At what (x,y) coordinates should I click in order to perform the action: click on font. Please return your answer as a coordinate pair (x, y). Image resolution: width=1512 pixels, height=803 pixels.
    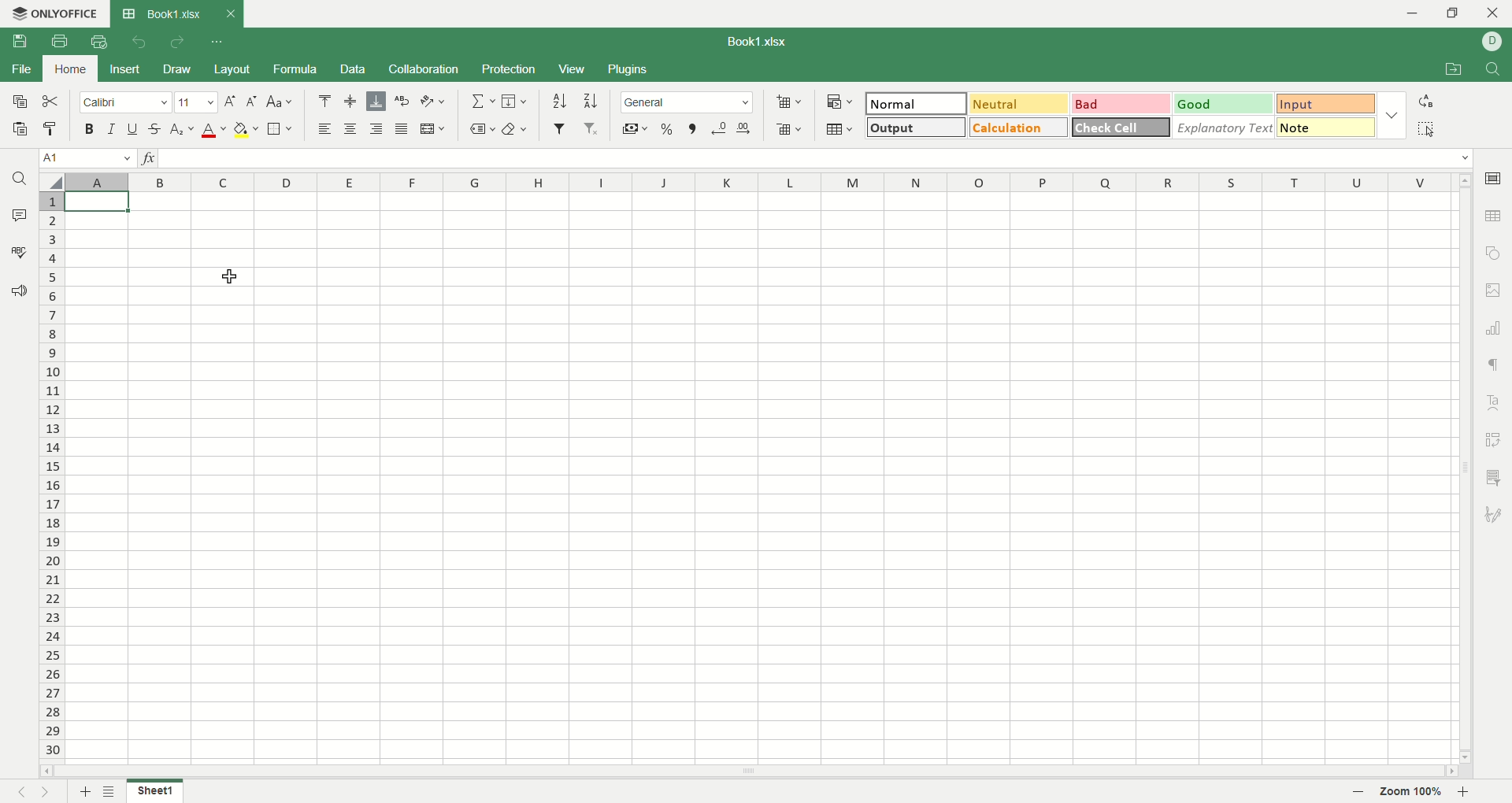
    Looking at the image, I should click on (125, 104).